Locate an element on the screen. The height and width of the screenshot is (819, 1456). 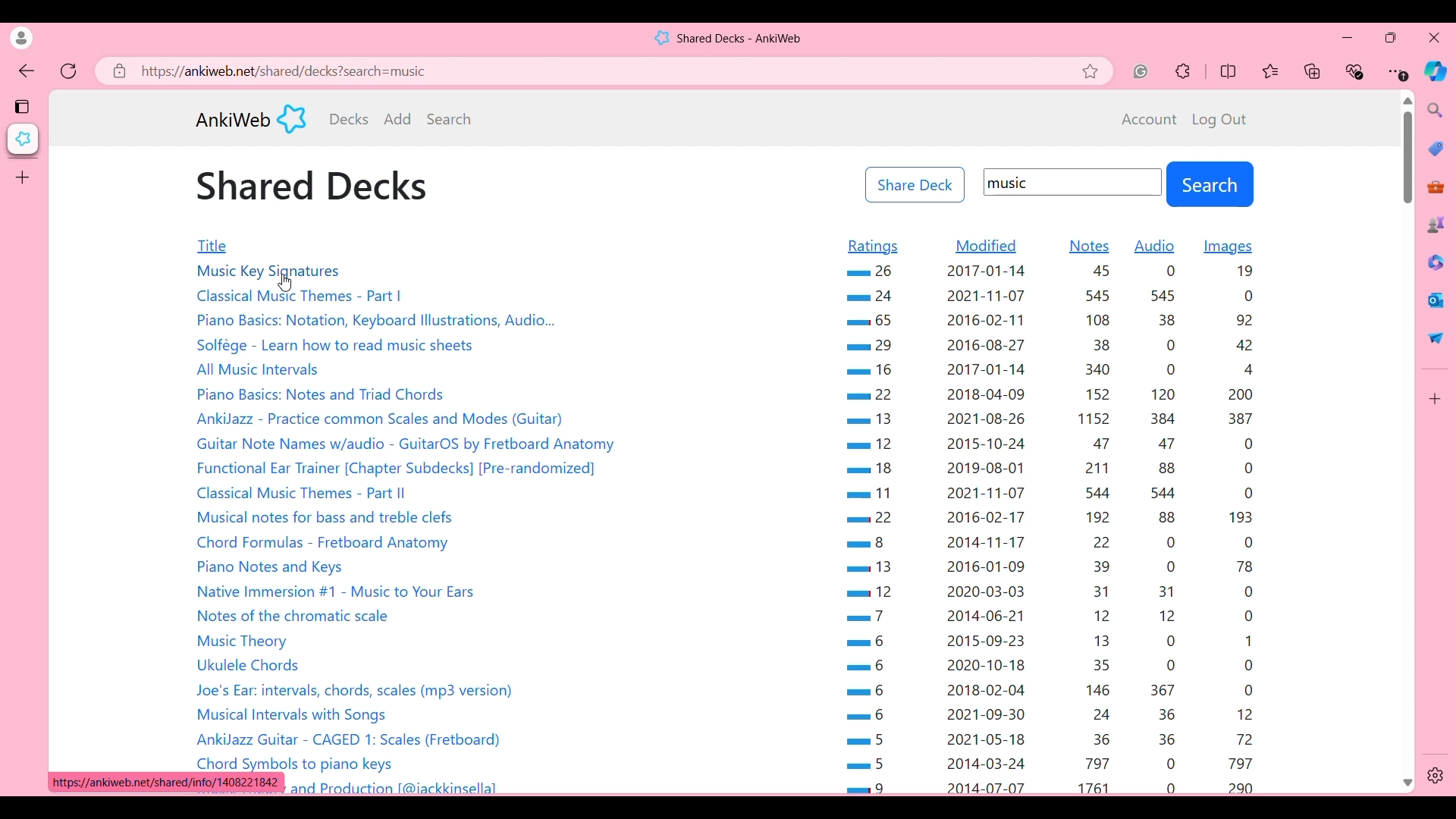
https://ankiweb.net/shared/decks?search=music is located at coordinates (299, 71).